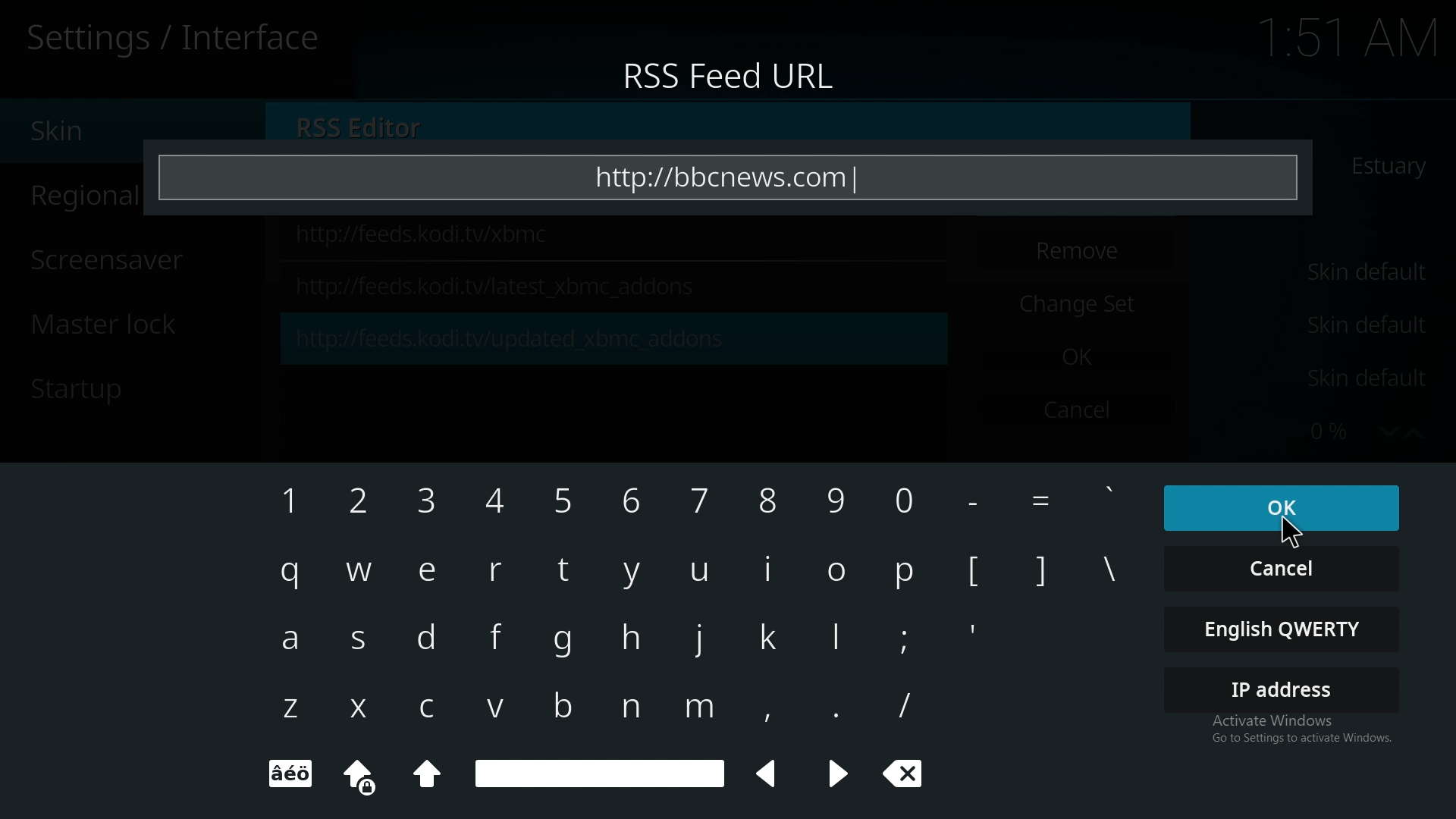 Image resolution: width=1456 pixels, height=819 pixels. Describe the element at coordinates (429, 641) in the screenshot. I see `d` at that location.